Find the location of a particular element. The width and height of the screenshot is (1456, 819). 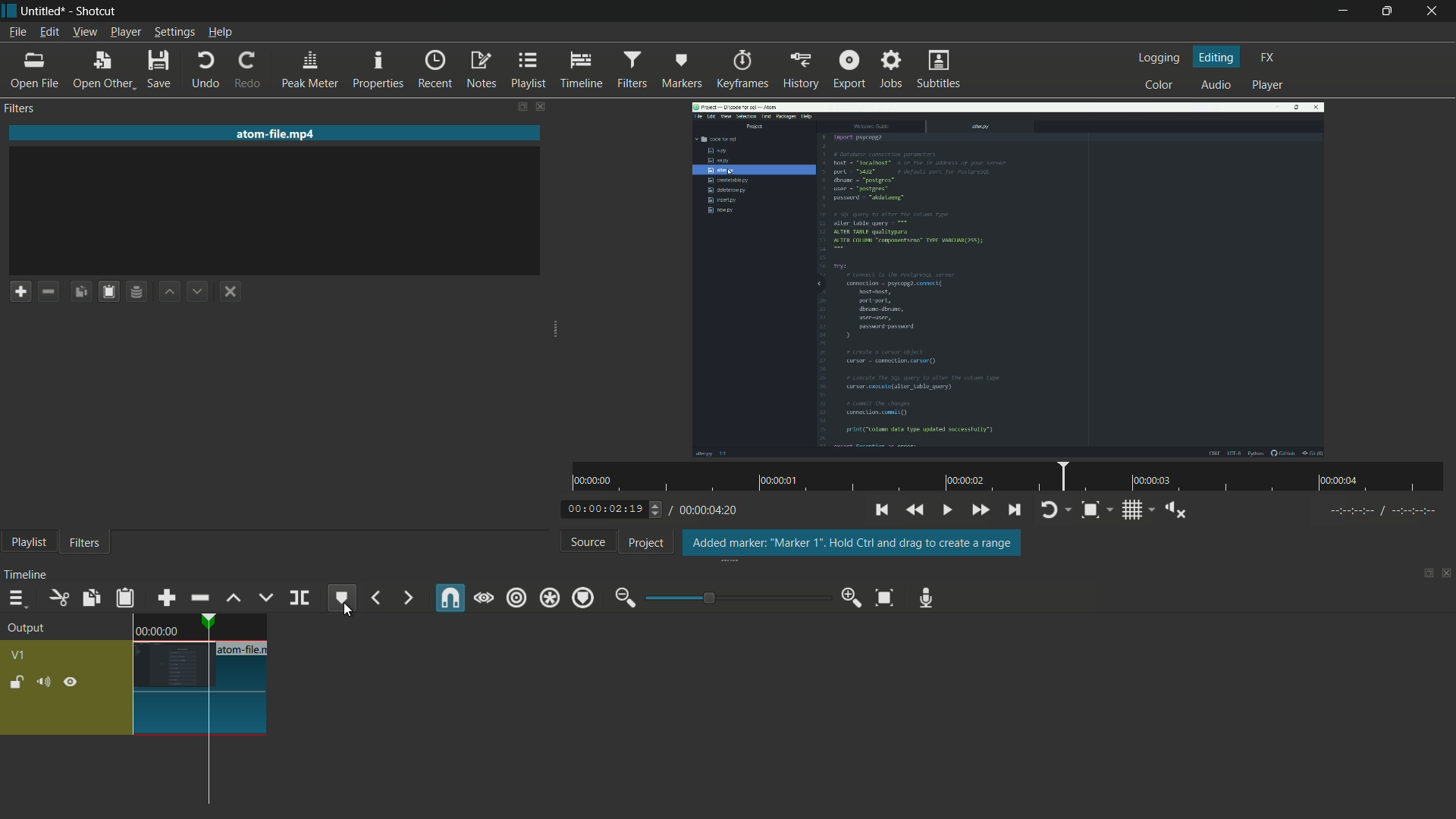

current time is located at coordinates (602, 510).